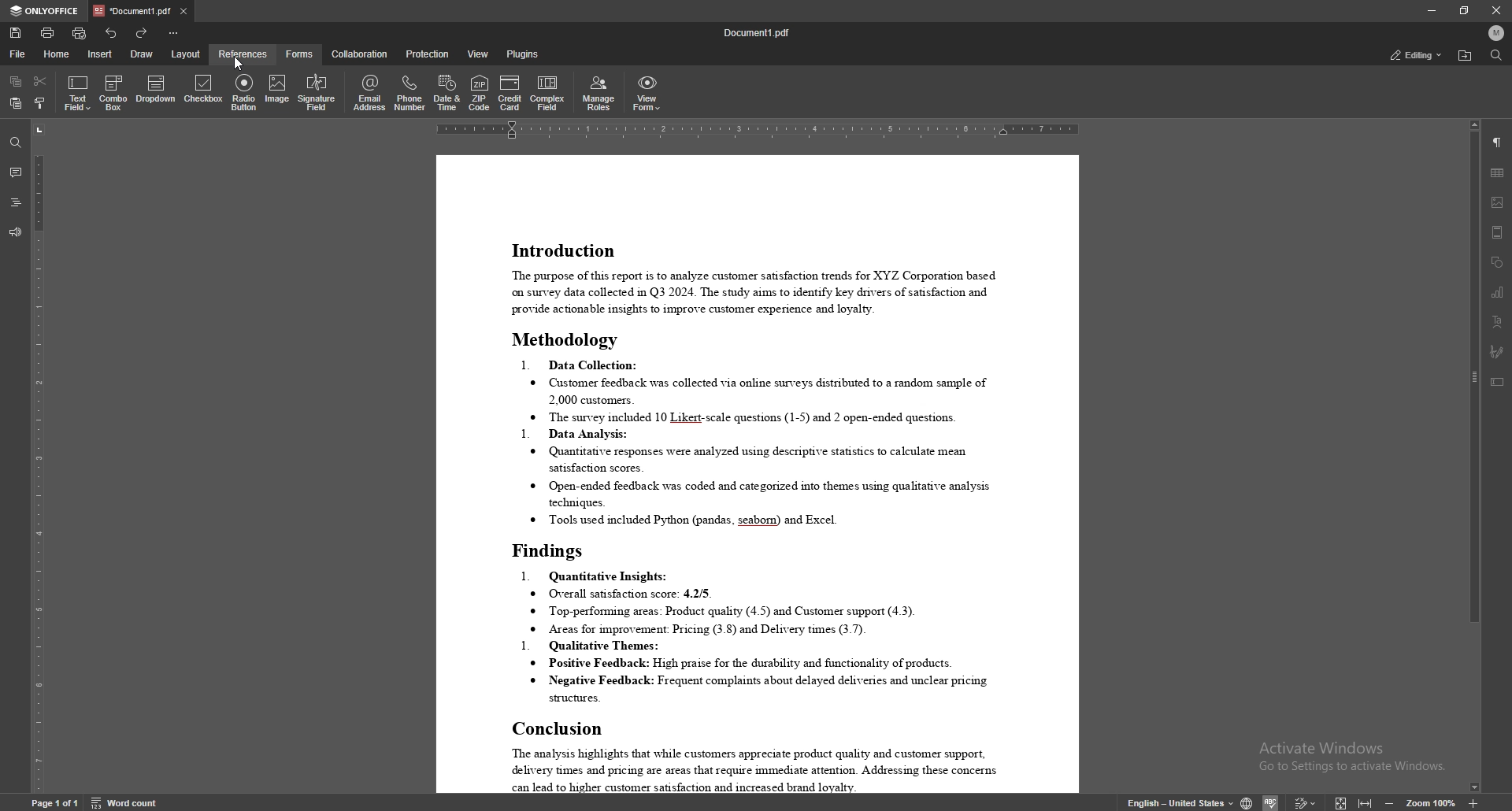 The width and height of the screenshot is (1512, 811). I want to click on collaboration, so click(361, 54).